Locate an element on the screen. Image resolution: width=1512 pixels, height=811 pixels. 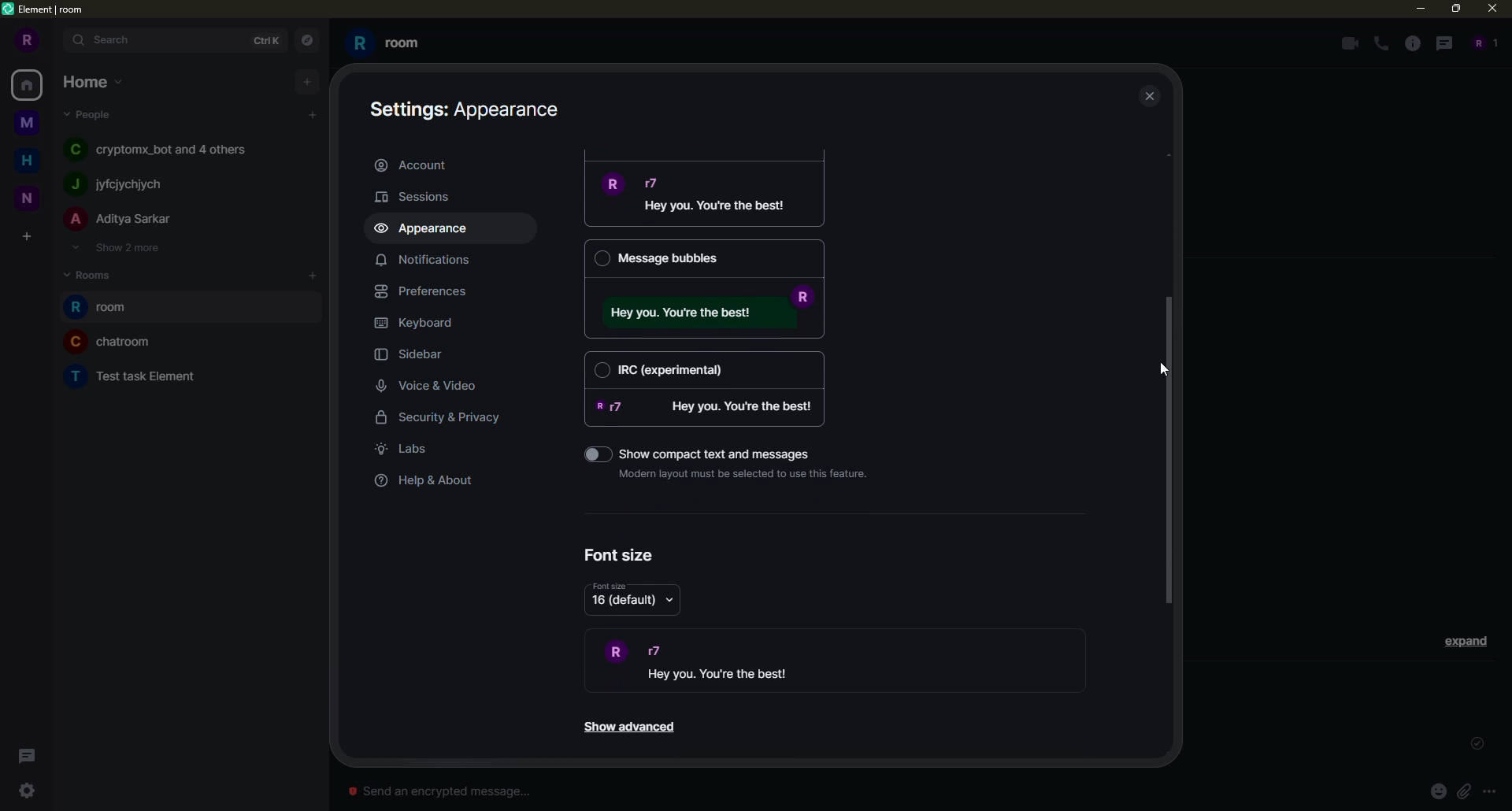
appearance is located at coordinates (469, 107).